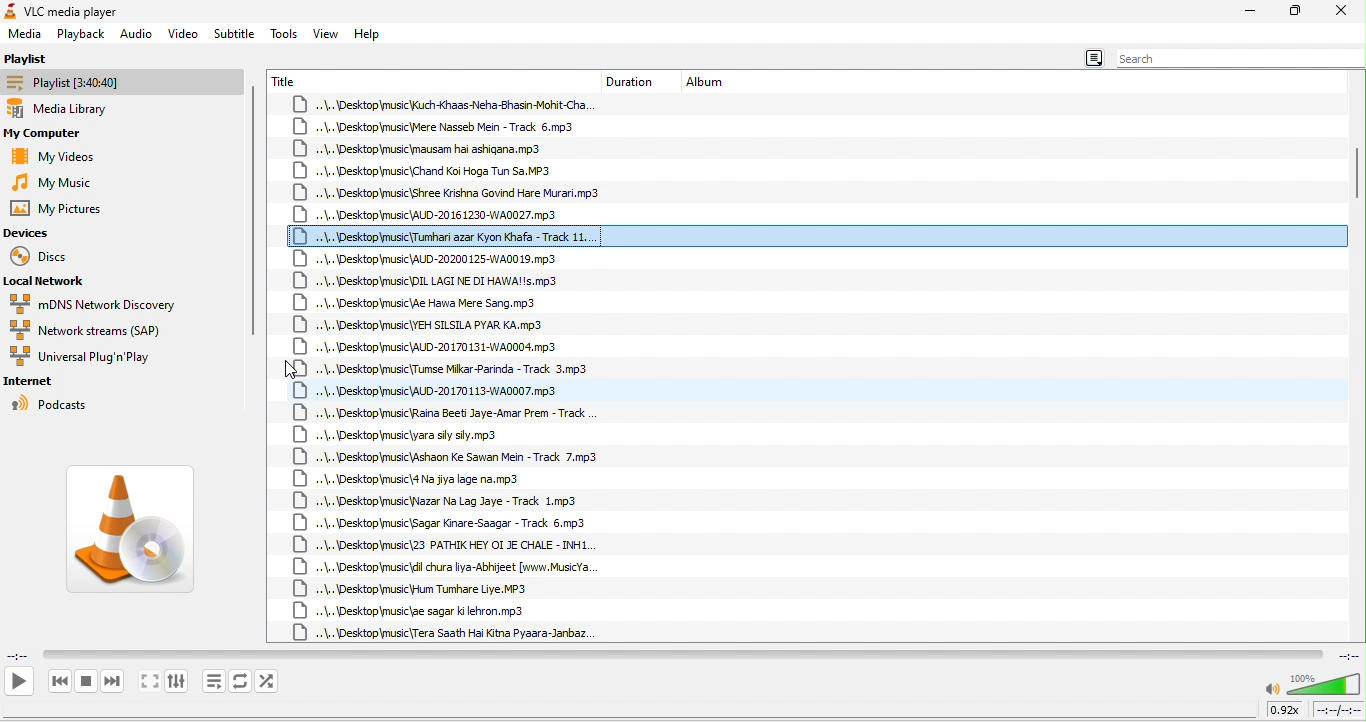 Image resolution: width=1366 pixels, height=722 pixels. What do you see at coordinates (53, 279) in the screenshot?
I see `local network` at bounding box center [53, 279].